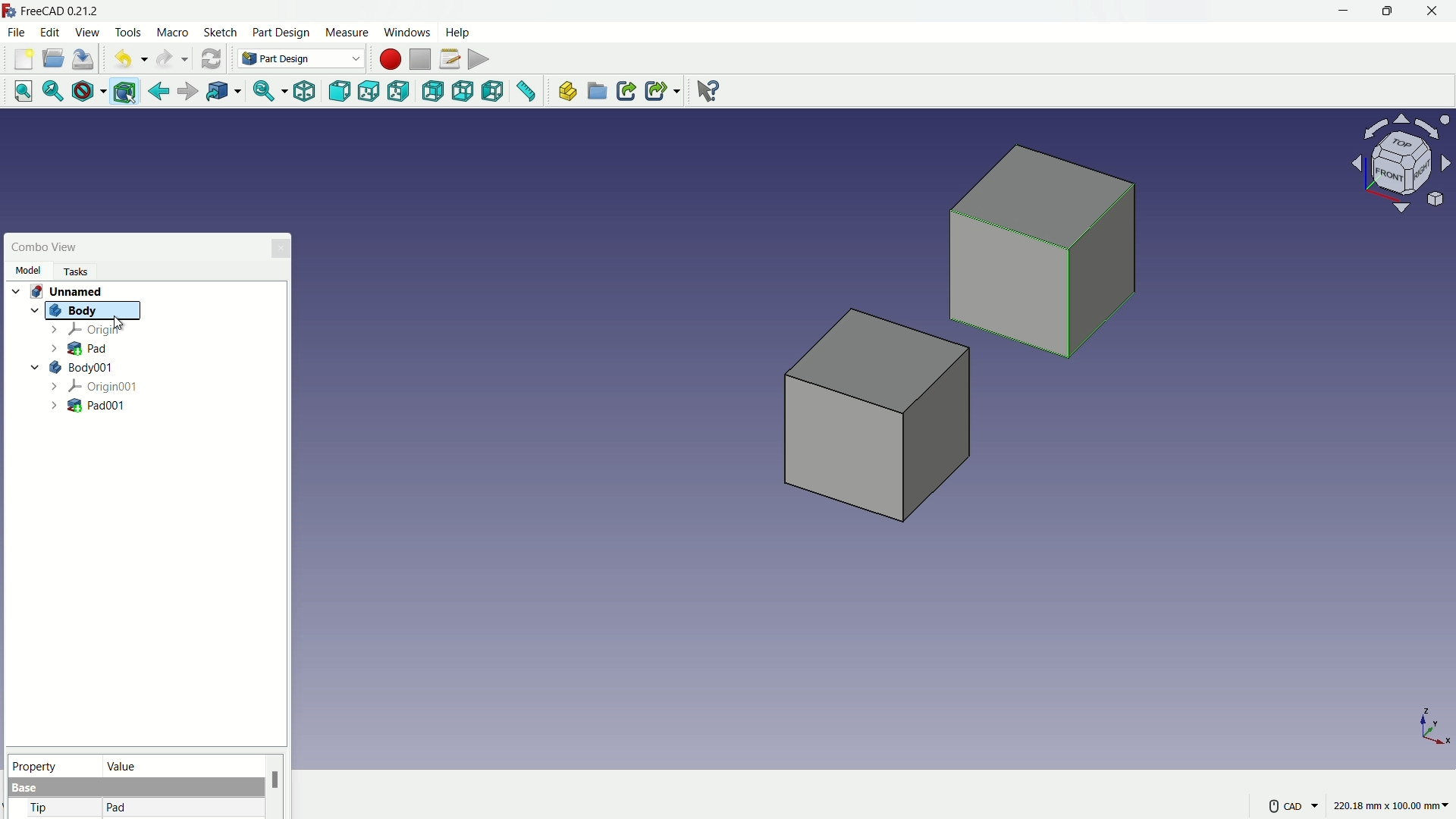 The width and height of the screenshot is (1456, 819). I want to click on file, so click(16, 31).